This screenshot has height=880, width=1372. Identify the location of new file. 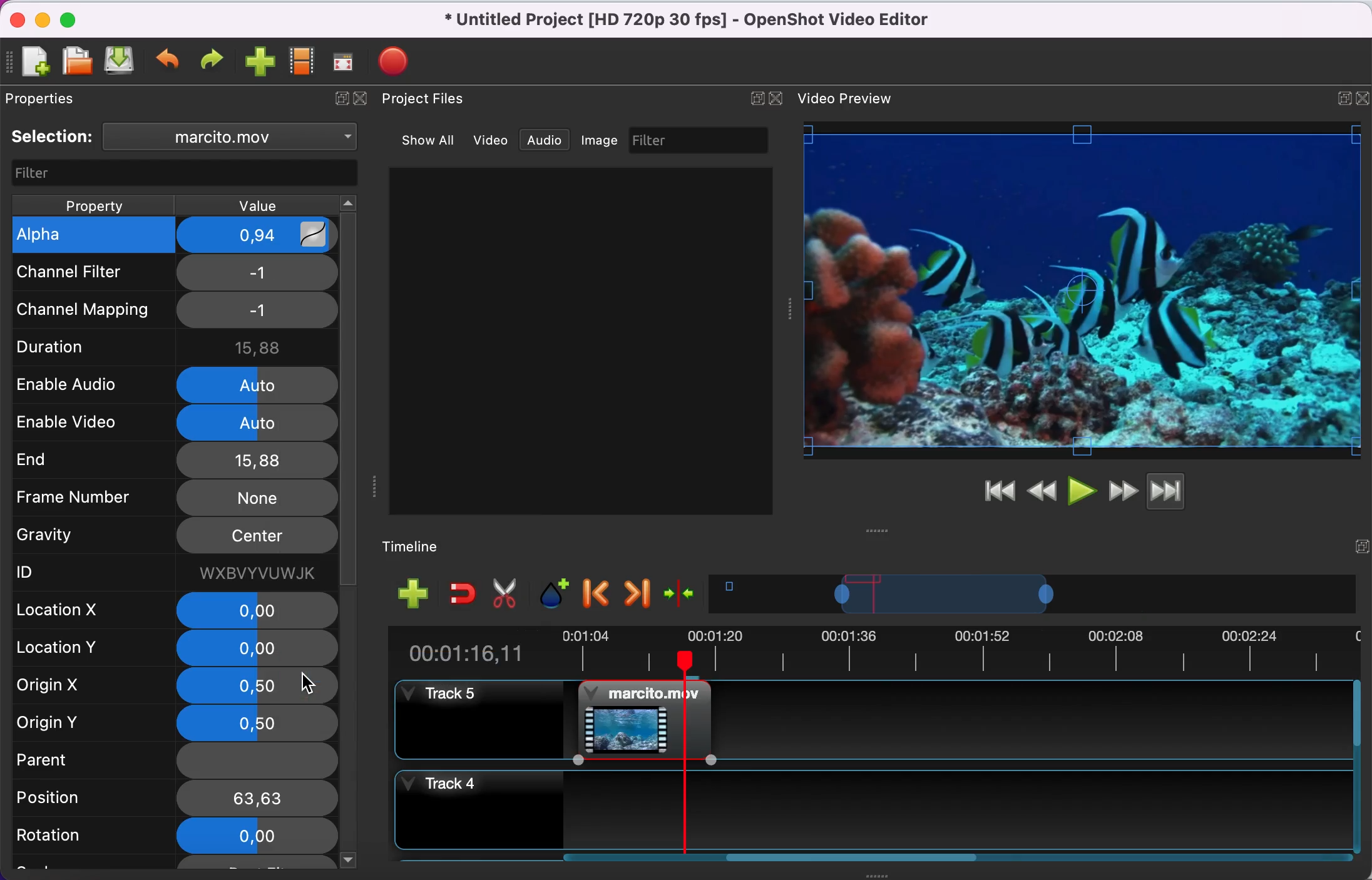
(35, 61).